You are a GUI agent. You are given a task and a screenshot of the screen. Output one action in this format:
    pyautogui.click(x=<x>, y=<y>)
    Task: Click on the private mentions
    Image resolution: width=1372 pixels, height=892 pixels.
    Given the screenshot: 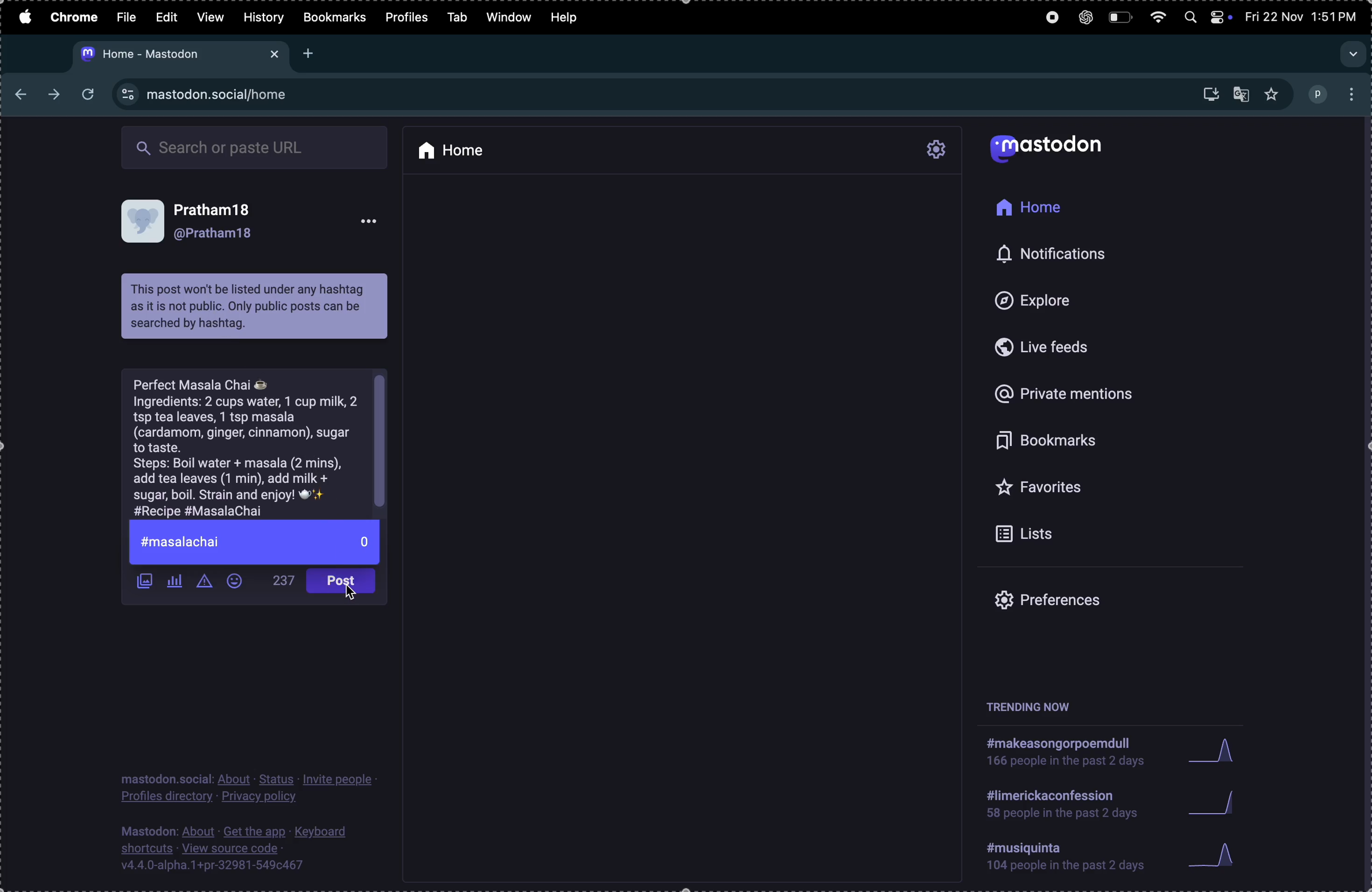 What is the action you would take?
    pyautogui.click(x=1071, y=388)
    